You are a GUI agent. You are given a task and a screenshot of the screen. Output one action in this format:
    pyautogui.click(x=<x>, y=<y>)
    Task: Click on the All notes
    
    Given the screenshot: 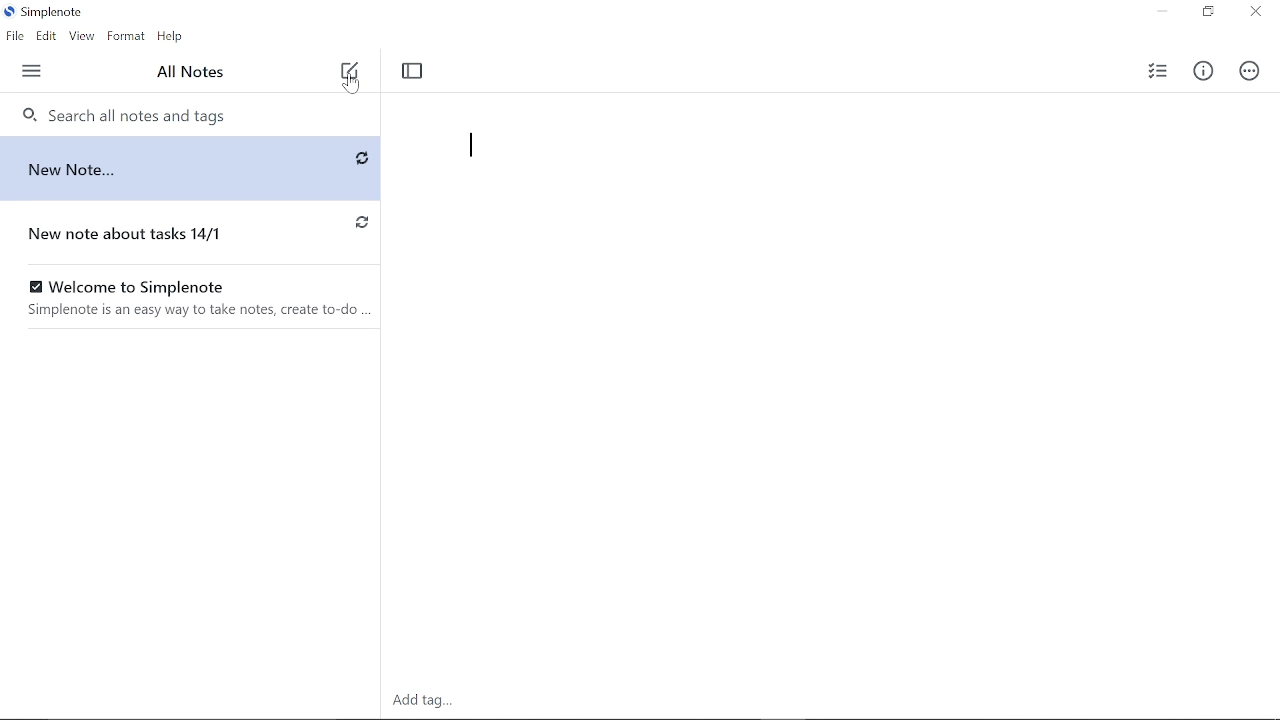 What is the action you would take?
    pyautogui.click(x=194, y=73)
    